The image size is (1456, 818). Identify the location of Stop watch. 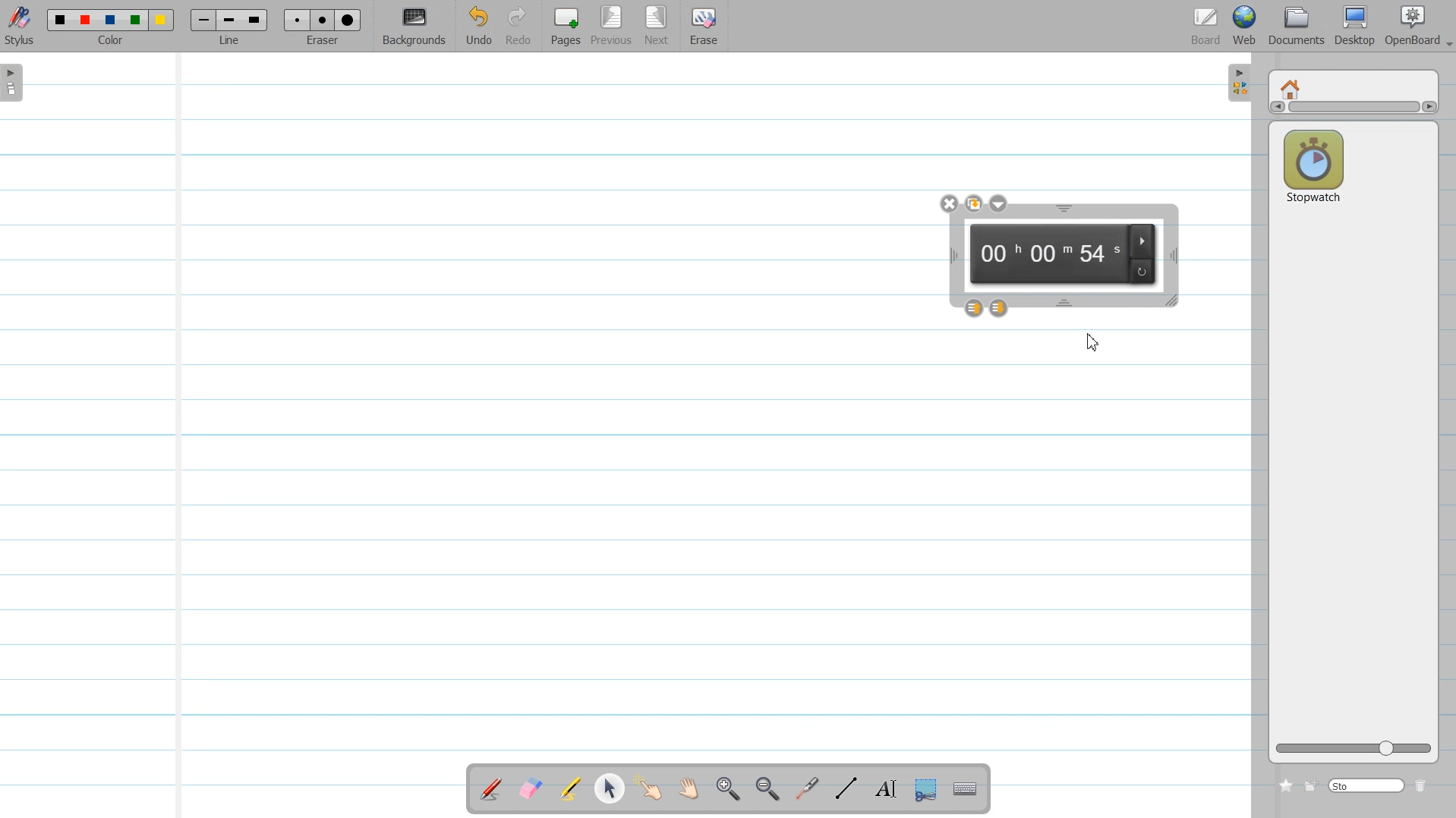
(1313, 162).